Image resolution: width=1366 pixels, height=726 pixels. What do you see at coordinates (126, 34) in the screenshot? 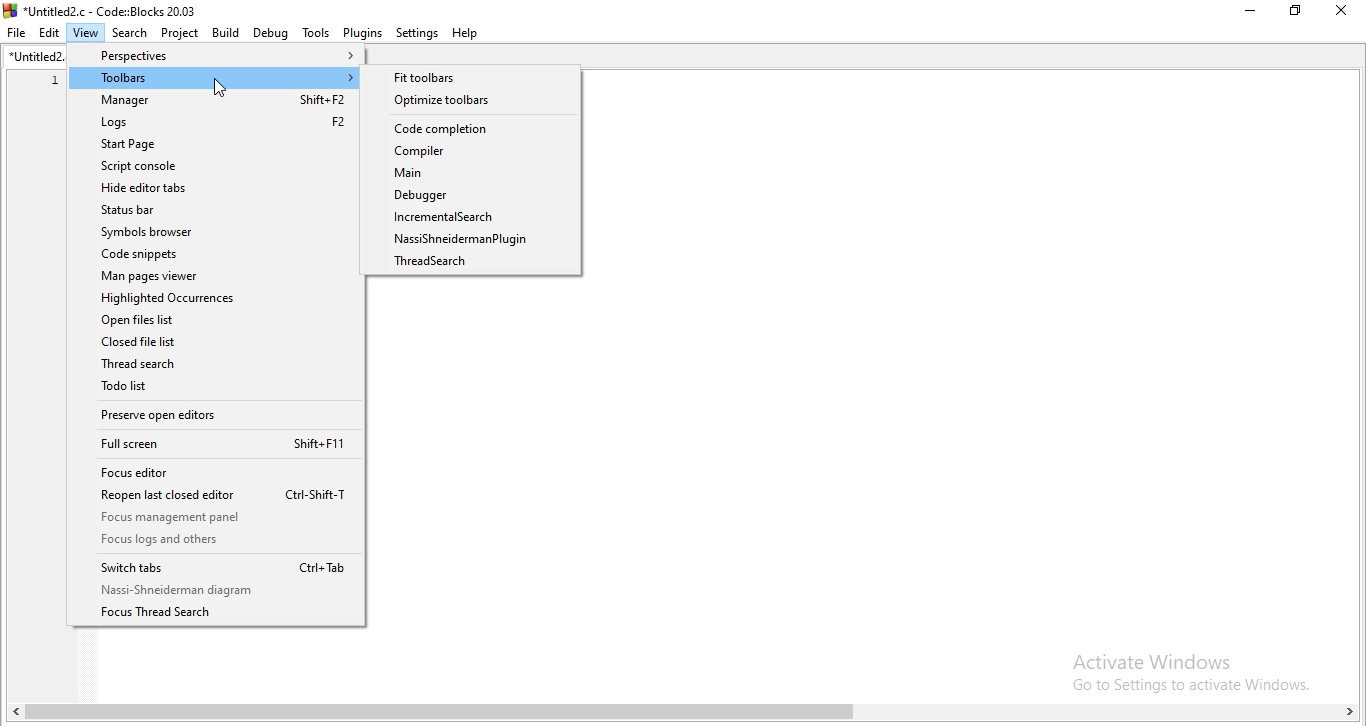
I see `Search ` at bounding box center [126, 34].